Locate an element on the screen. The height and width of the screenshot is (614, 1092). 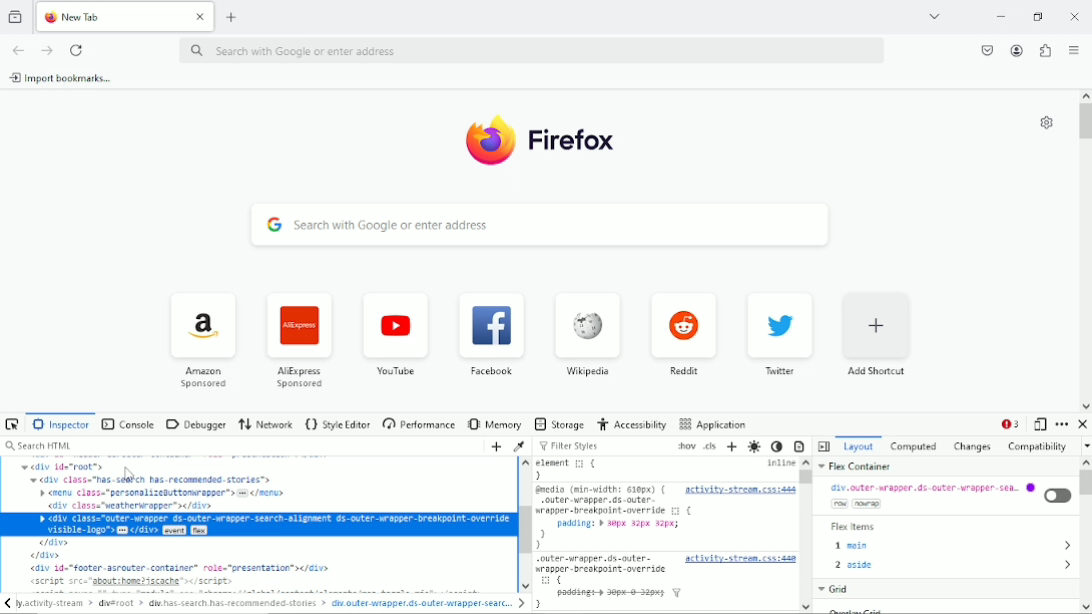
:hov is located at coordinates (685, 447).